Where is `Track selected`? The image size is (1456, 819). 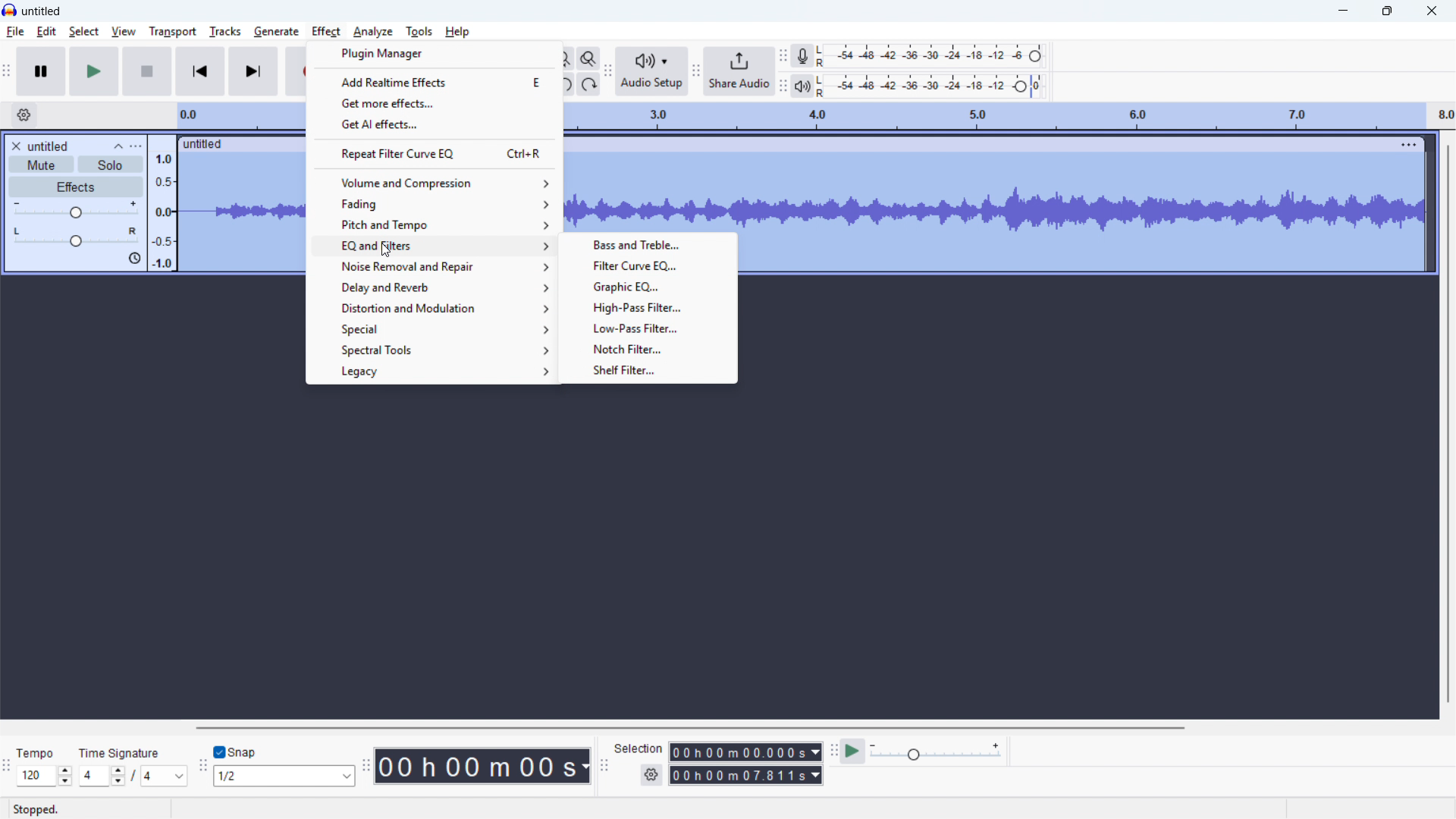 Track selected is located at coordinates (1083, 213).